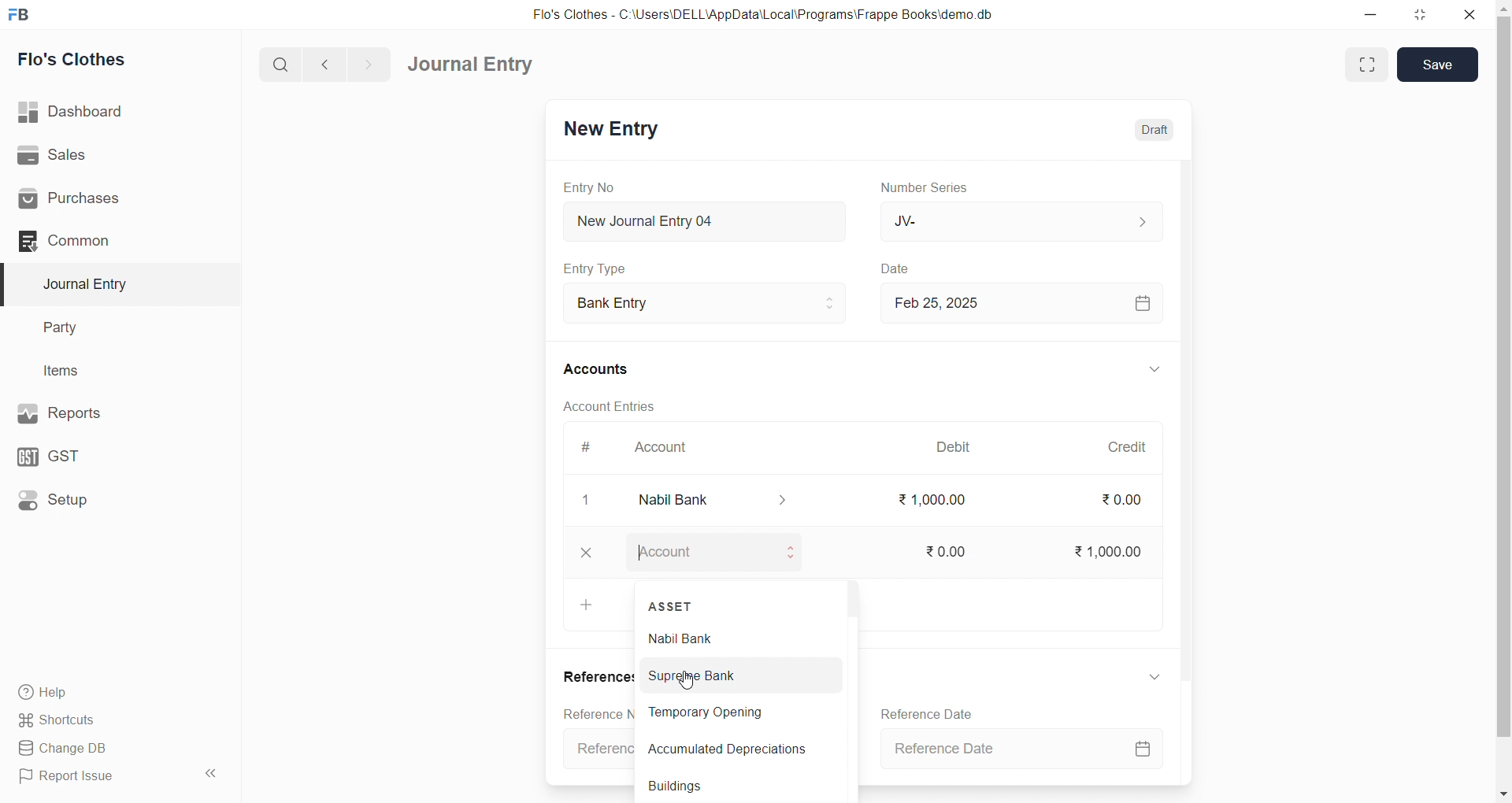  What do you see at coordinates (927, 713) in the screenshot?
I see `Reference Date` at bounding box center [927, 713].